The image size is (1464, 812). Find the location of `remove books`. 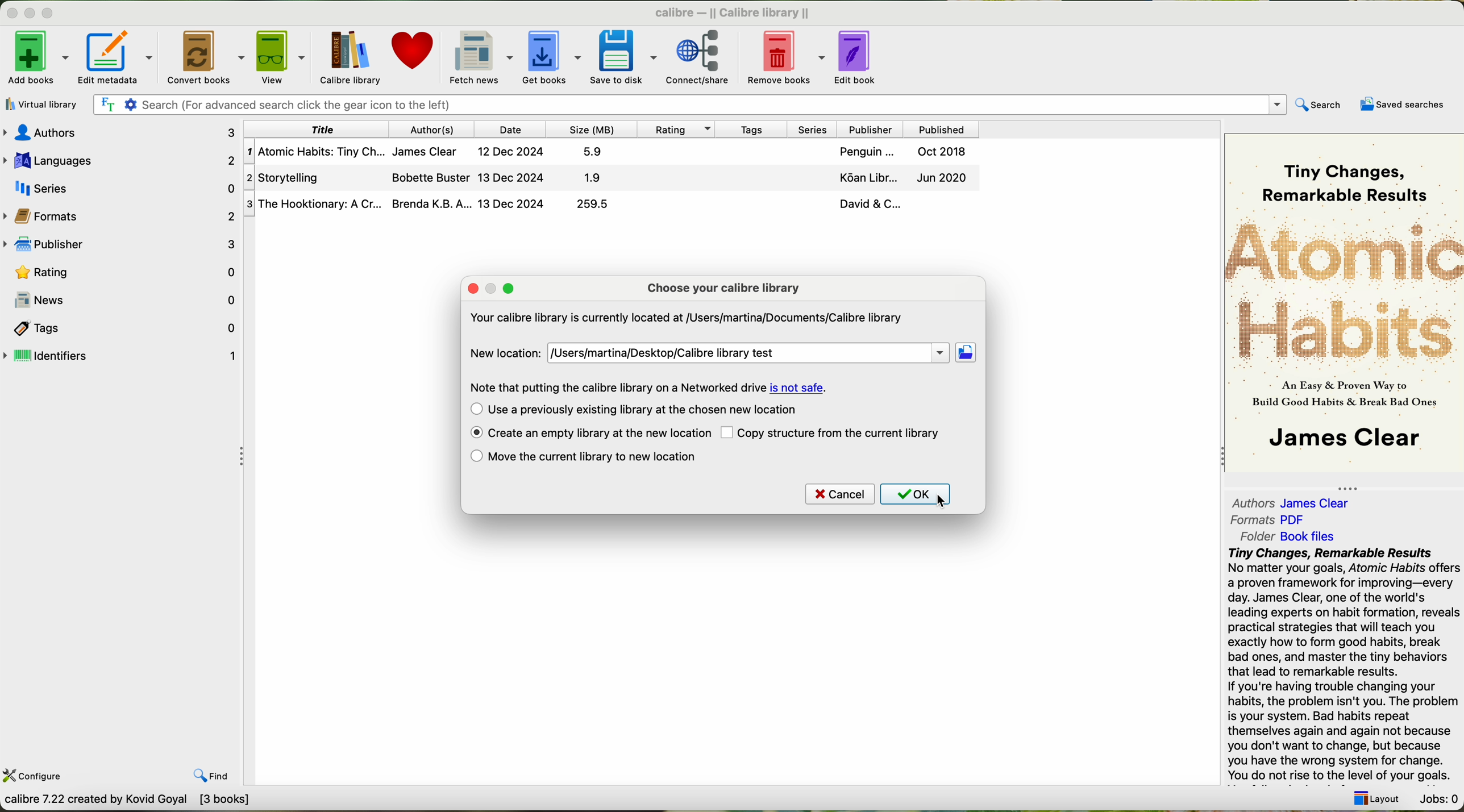

remove books is located at coordinates (789, 56).